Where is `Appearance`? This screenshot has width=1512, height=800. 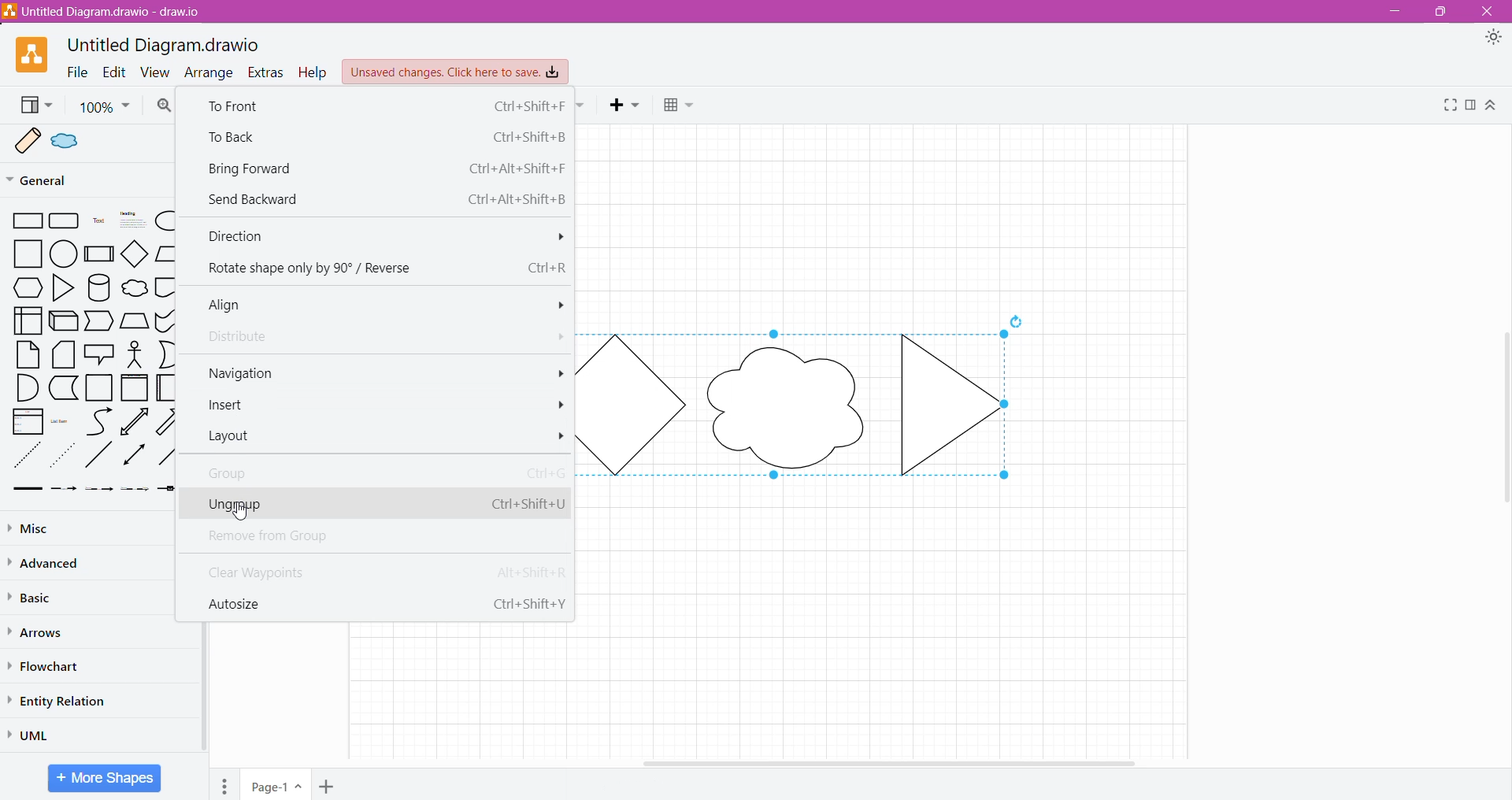 Appearance is located at coordinates (1496, 40).